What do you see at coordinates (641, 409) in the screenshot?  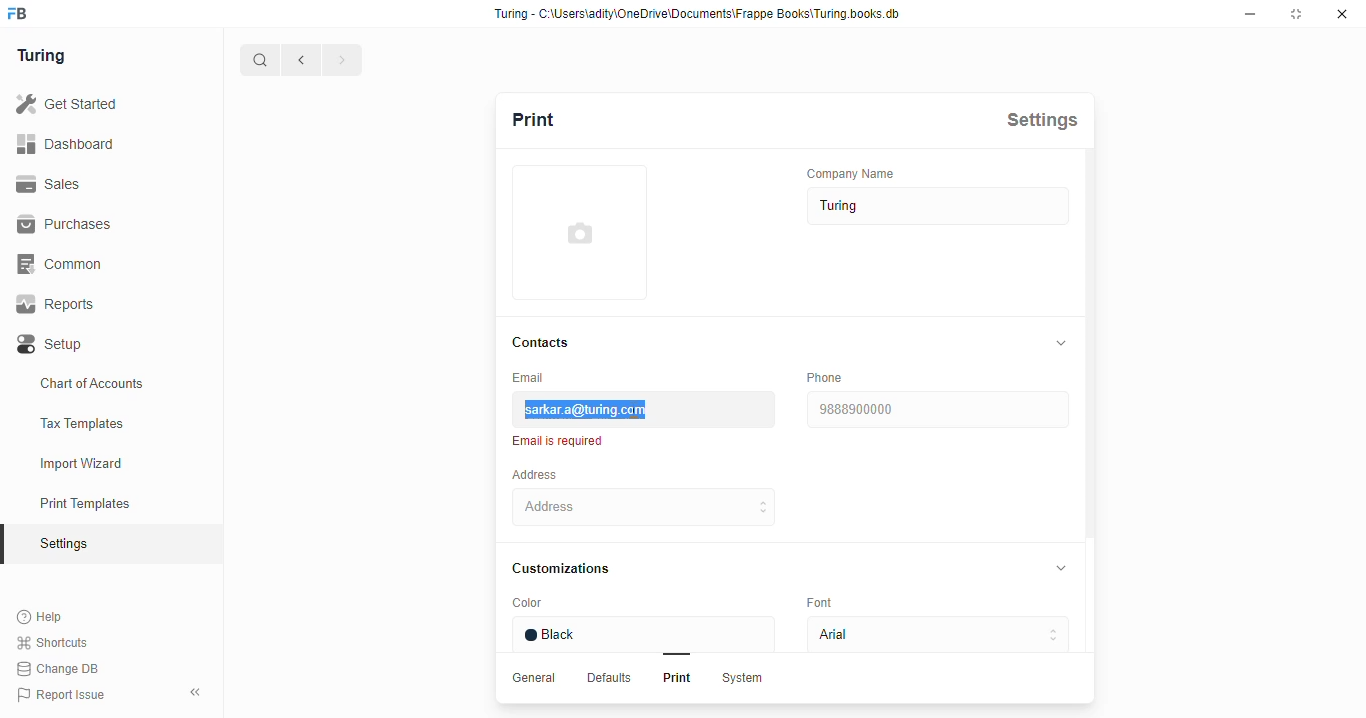 I see `sarkar.a@turing.com` at bounding box center [641, 409].